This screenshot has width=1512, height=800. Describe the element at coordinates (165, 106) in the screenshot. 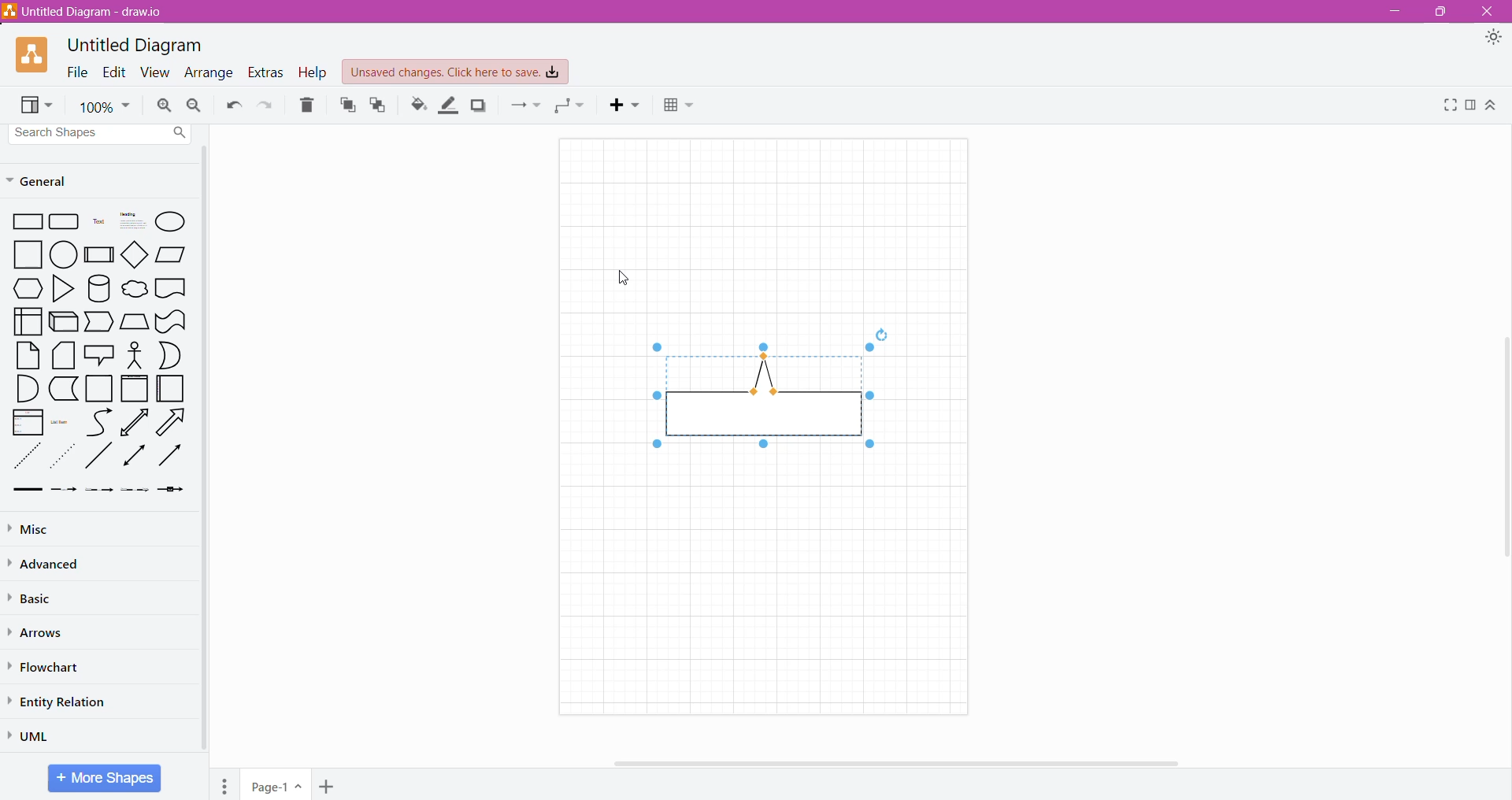

I see `zoom in` at that location.